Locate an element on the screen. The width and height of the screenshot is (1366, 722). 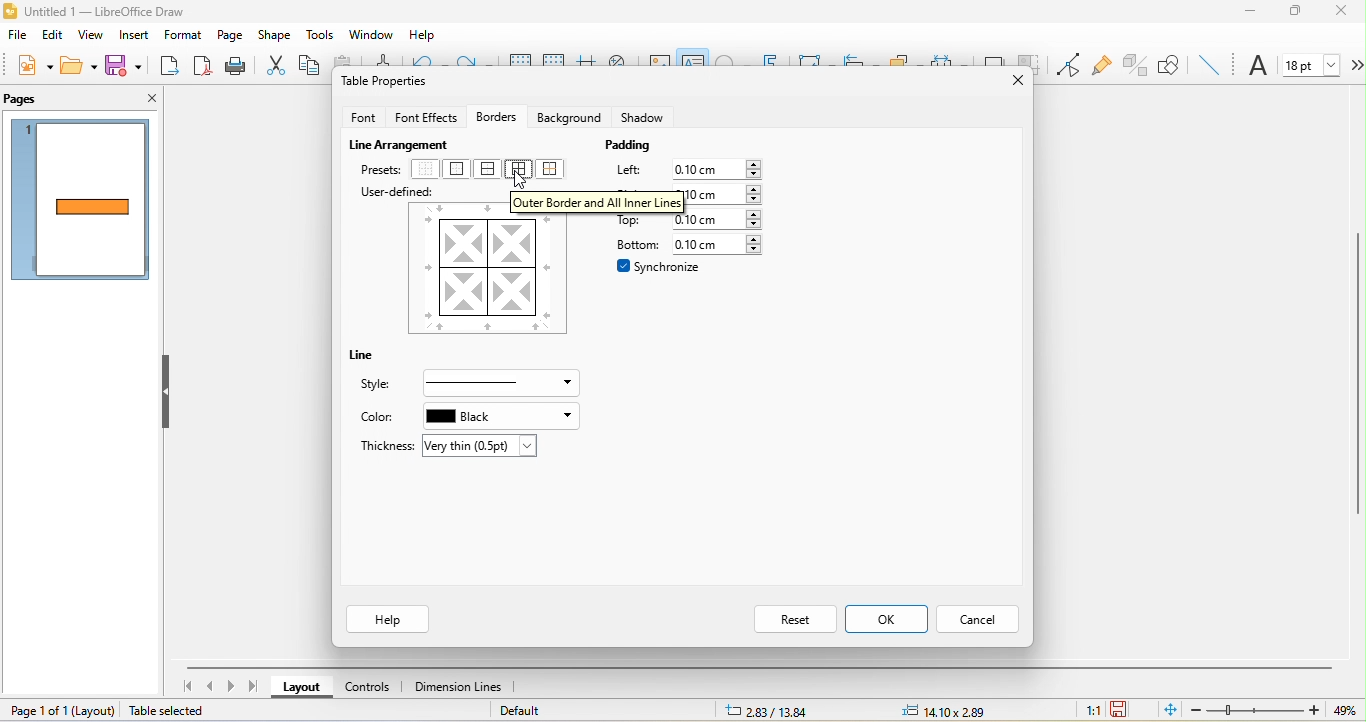
synchronize is located at coordinates (660, 266).